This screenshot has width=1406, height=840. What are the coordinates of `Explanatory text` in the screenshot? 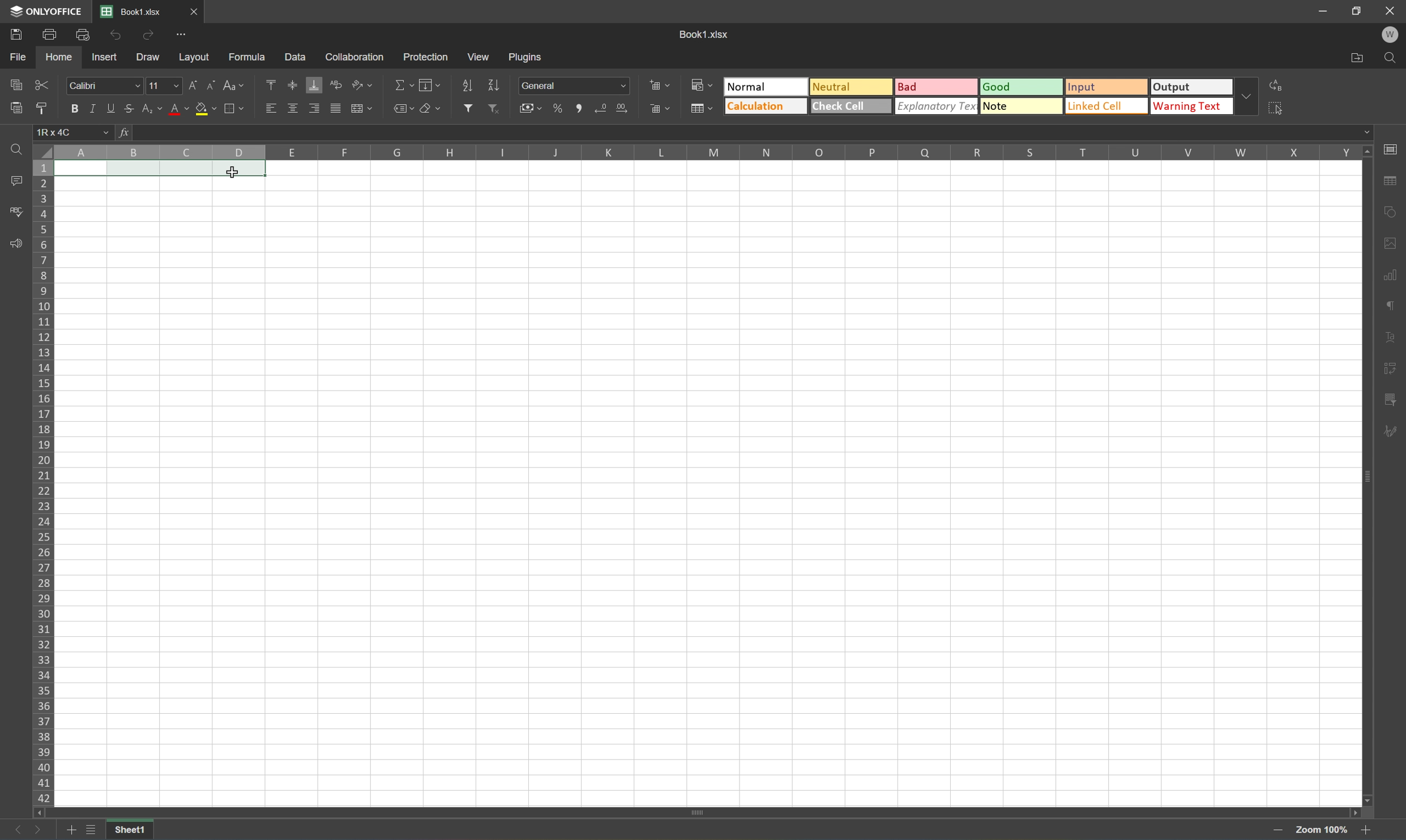 It's located at (937, 105).